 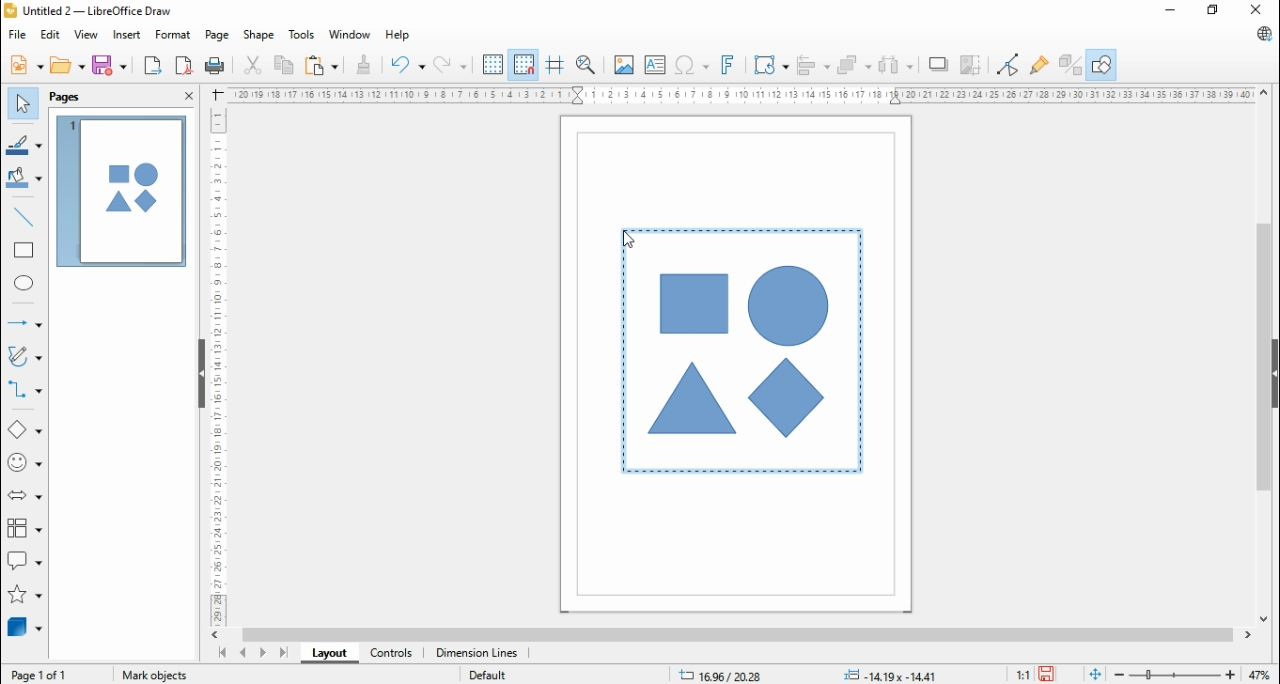 I want to click on paste, so click(x=320, y=64).